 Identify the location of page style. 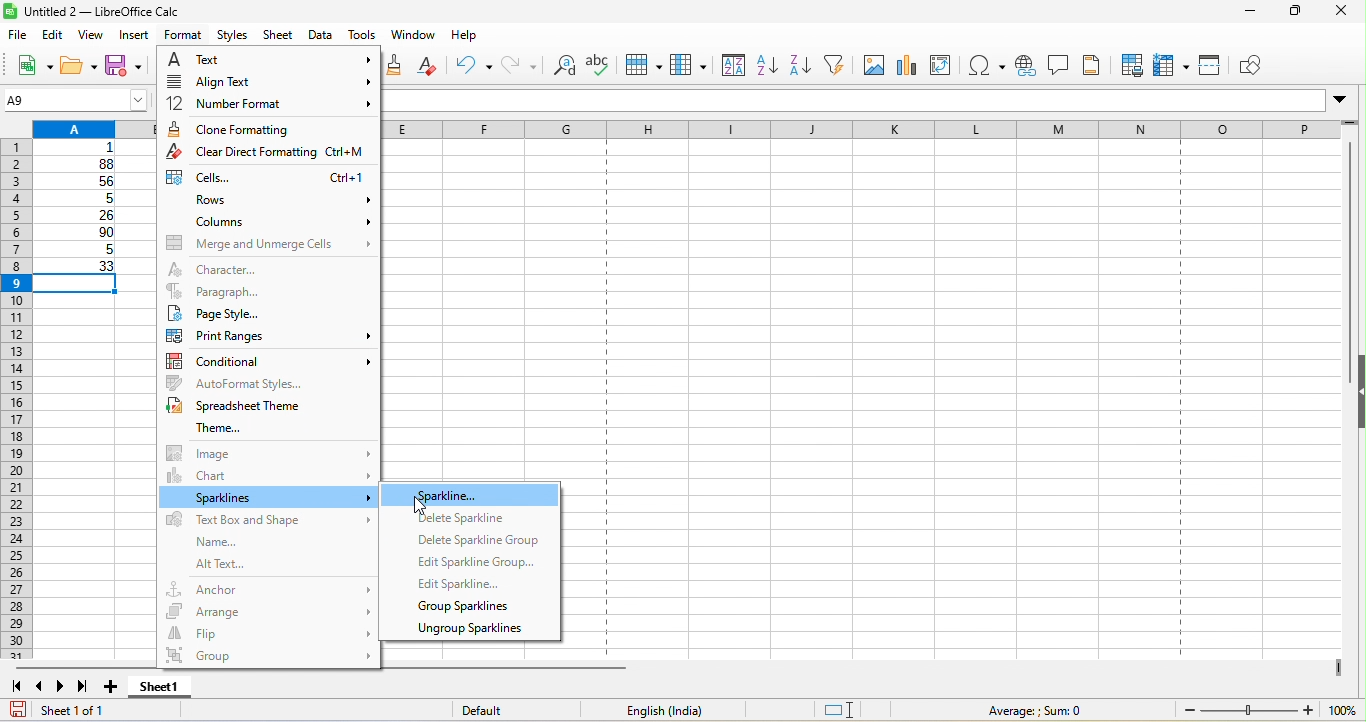
(268, 313).